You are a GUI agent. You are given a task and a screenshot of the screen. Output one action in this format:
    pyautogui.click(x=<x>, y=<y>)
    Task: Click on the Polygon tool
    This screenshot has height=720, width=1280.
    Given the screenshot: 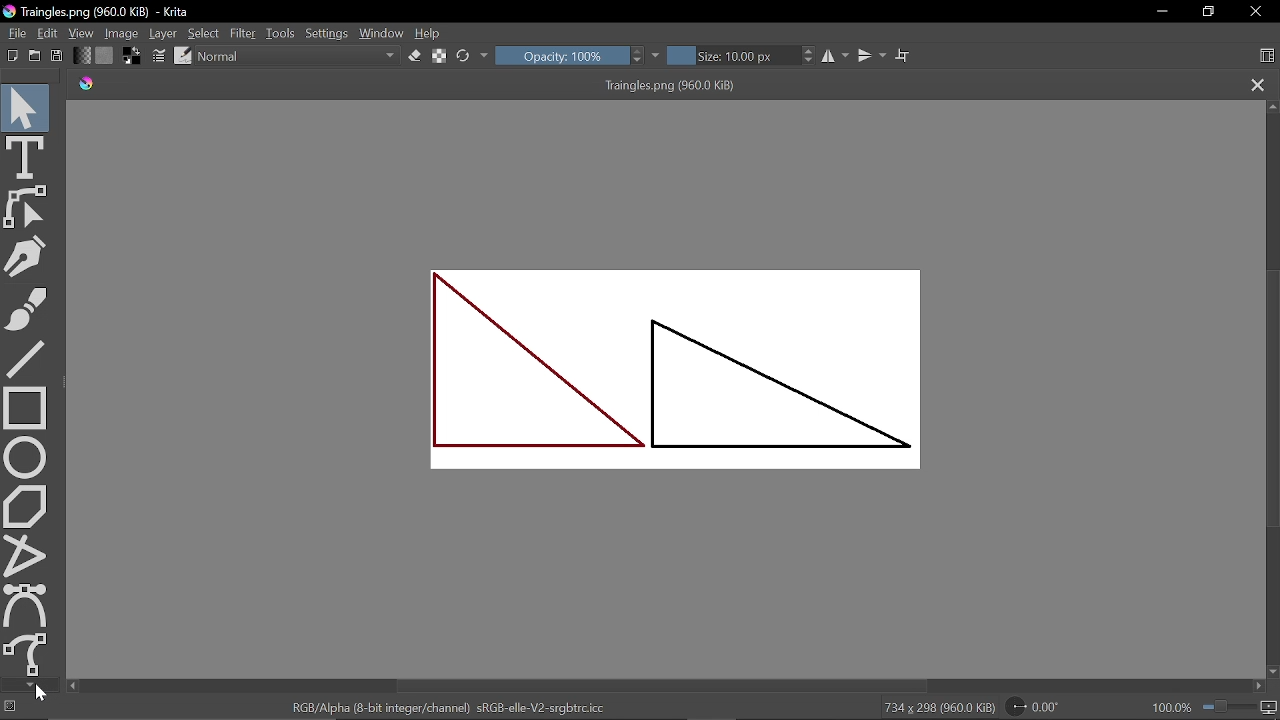 What is the action you would take?
    pyautogui.click(x=26, y=507)
    